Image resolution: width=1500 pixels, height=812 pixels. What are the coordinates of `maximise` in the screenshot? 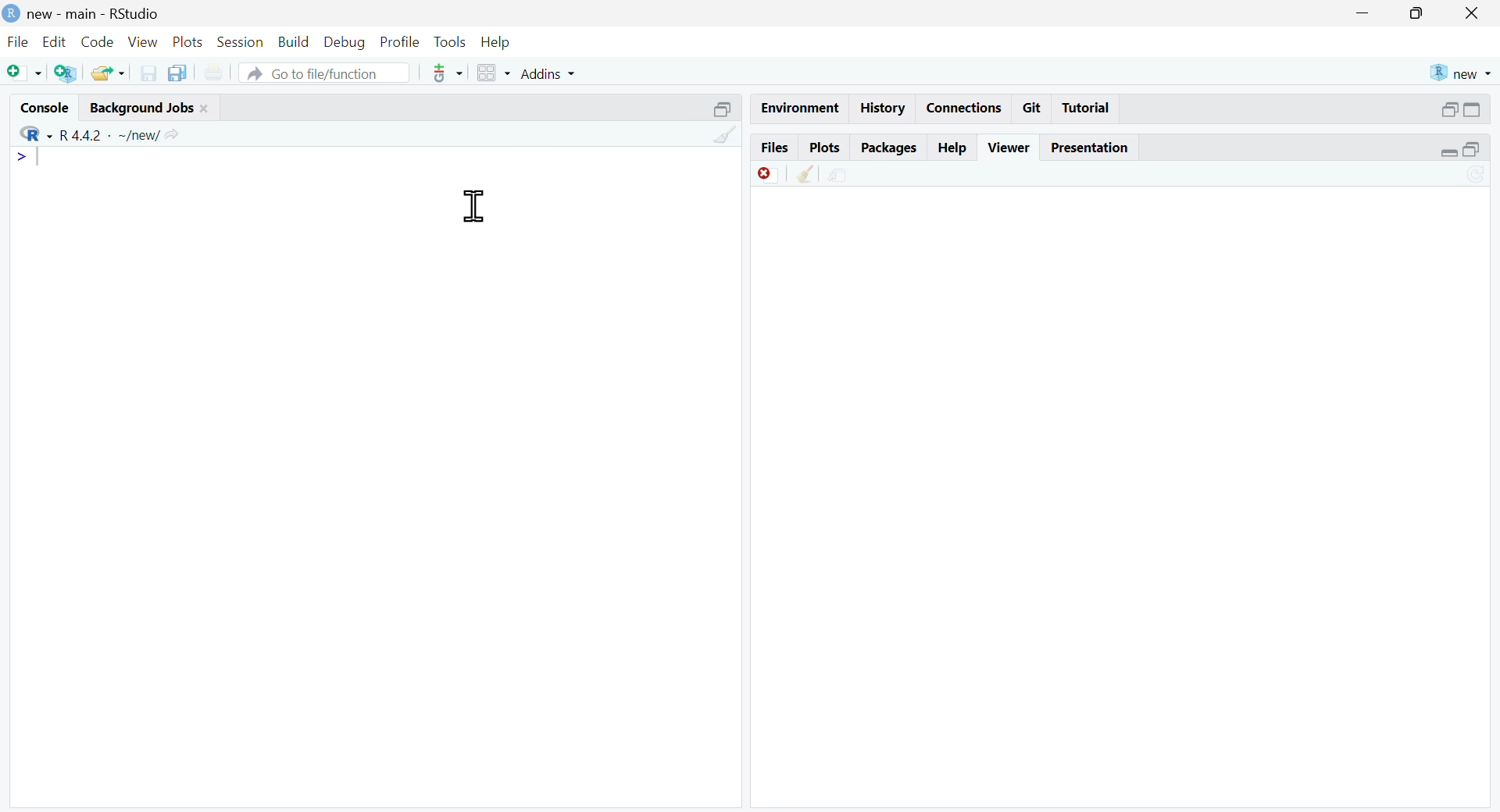 It's located at (1417, 13).